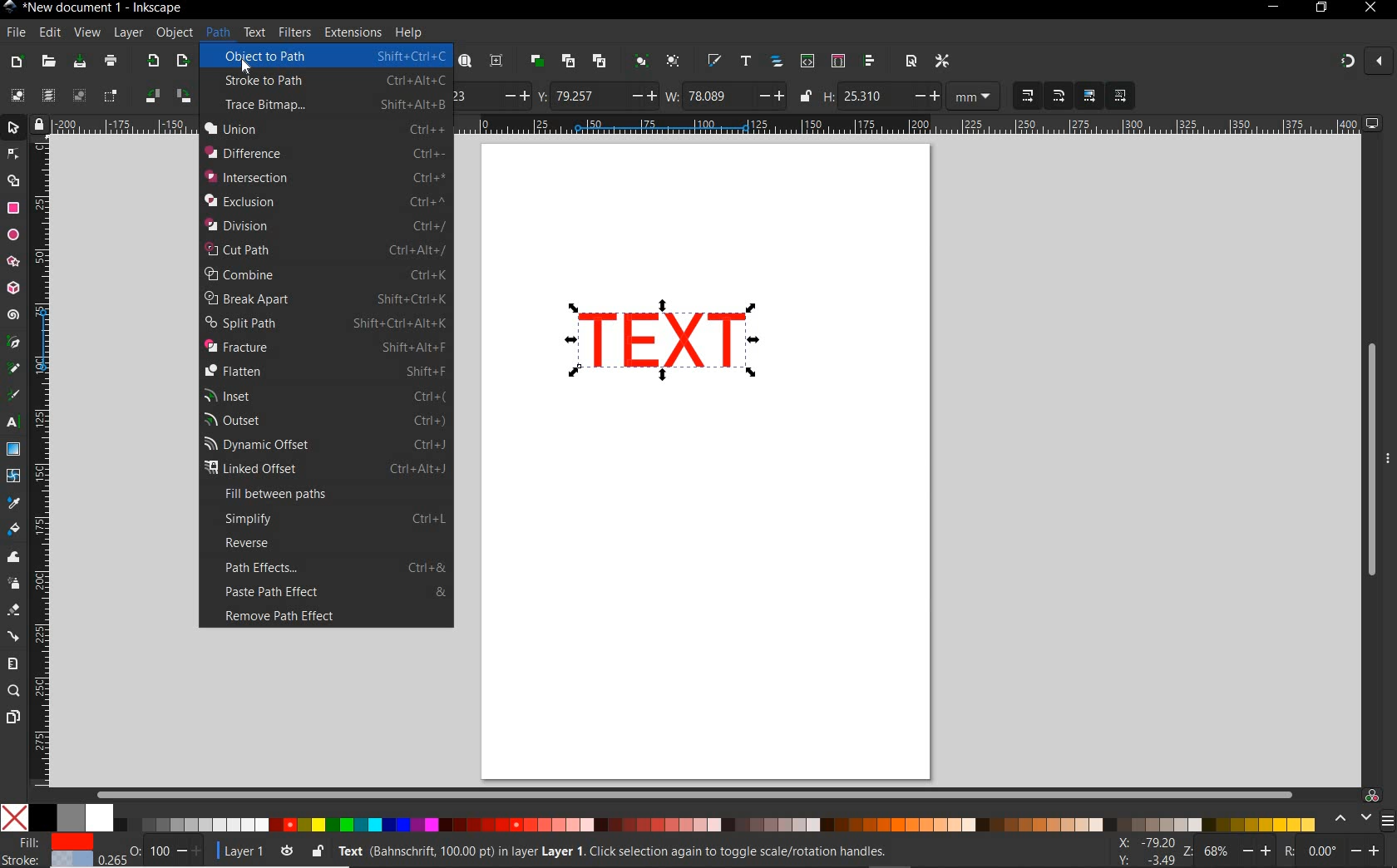 This screenshot has width=1397, height=868. What do you see at coordinates (94, 7) in the screenshot?
I see `FILE NAME` at bounding box center [94, 7].